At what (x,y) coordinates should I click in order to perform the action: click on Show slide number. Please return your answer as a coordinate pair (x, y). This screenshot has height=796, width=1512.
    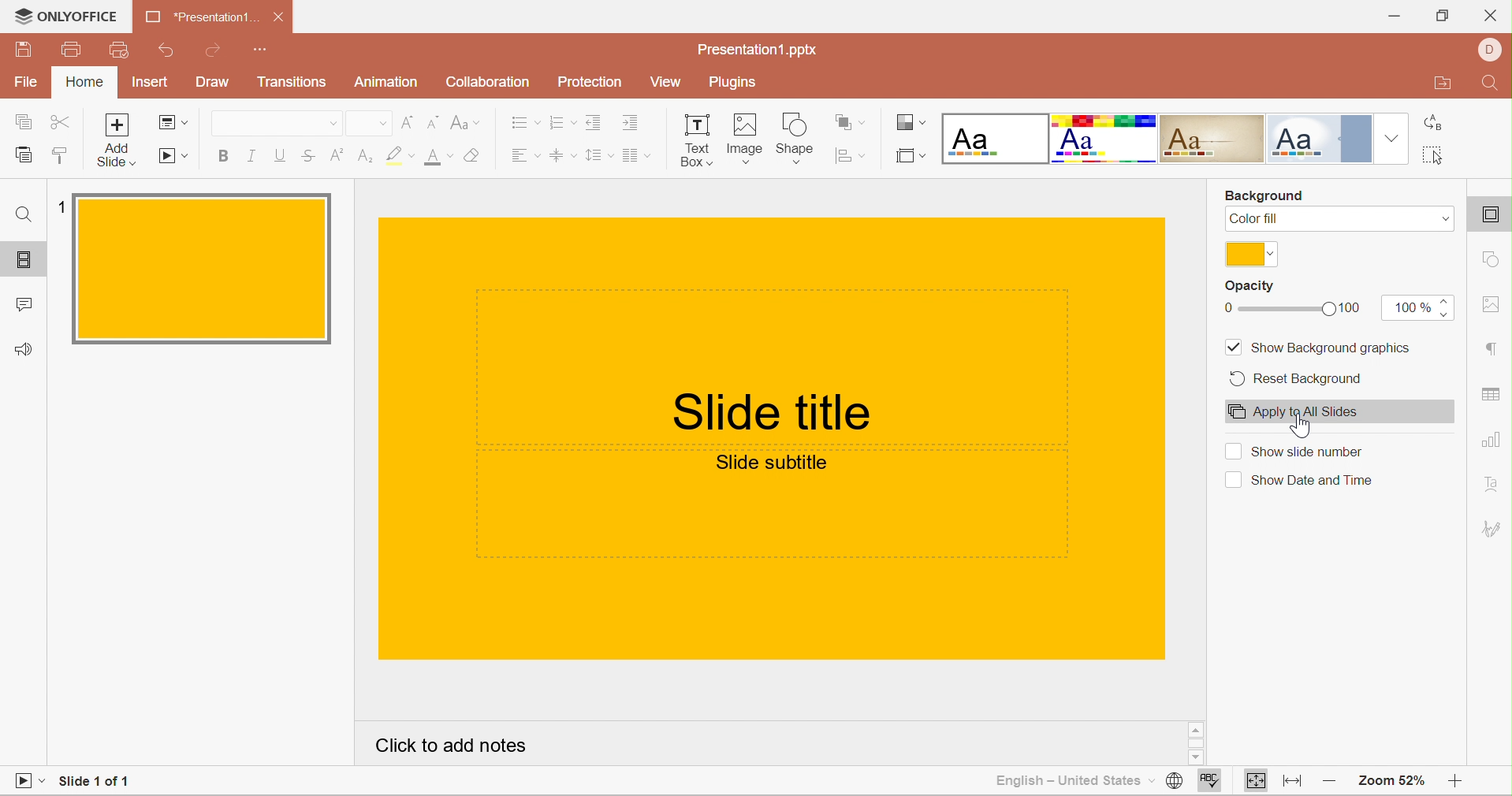
    Looking at the image, I should click on (1297, 450).